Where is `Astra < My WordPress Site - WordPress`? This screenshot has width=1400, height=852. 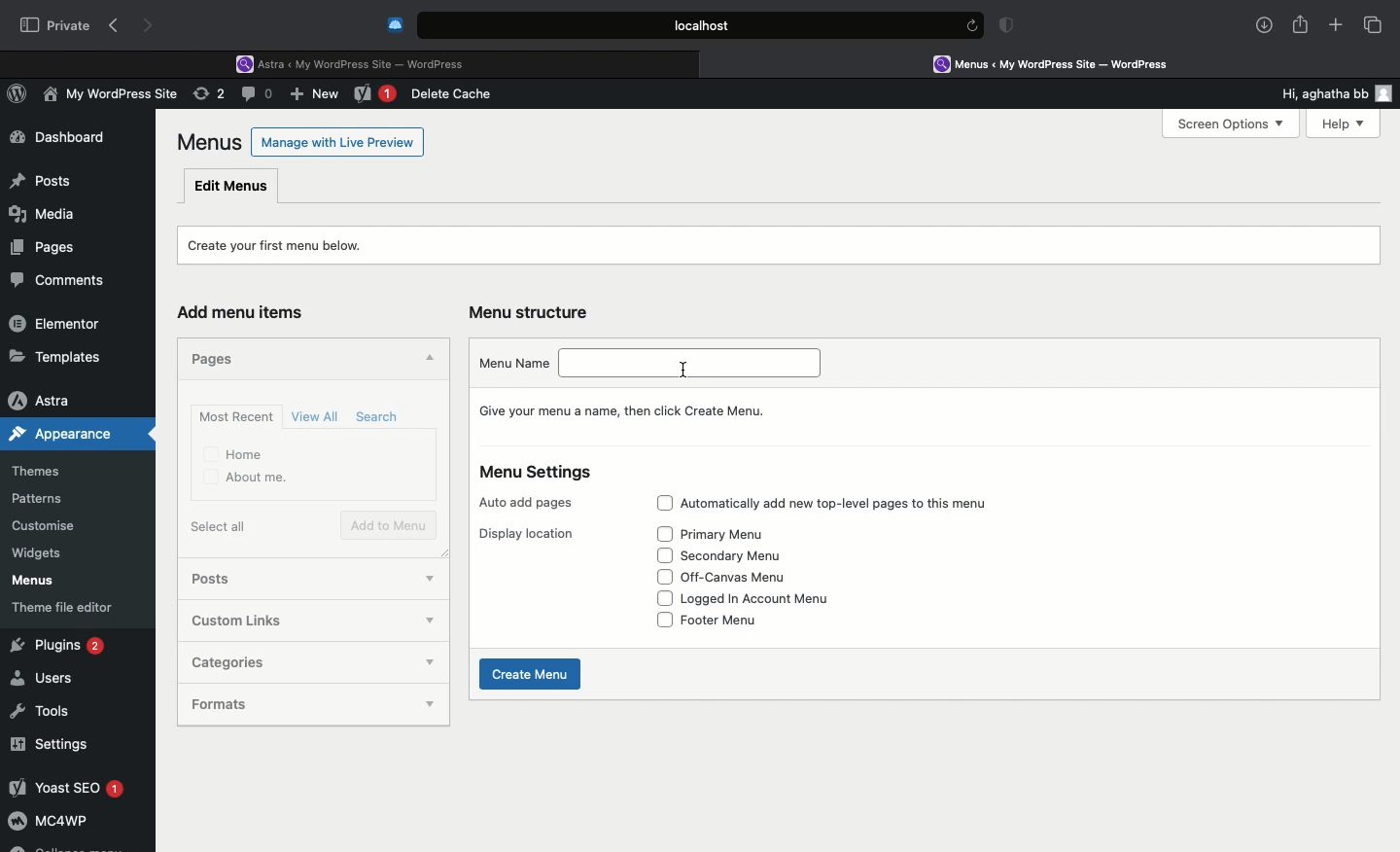 Astra < My WordPress Site - WordPress is located at coordinates (357, 62).